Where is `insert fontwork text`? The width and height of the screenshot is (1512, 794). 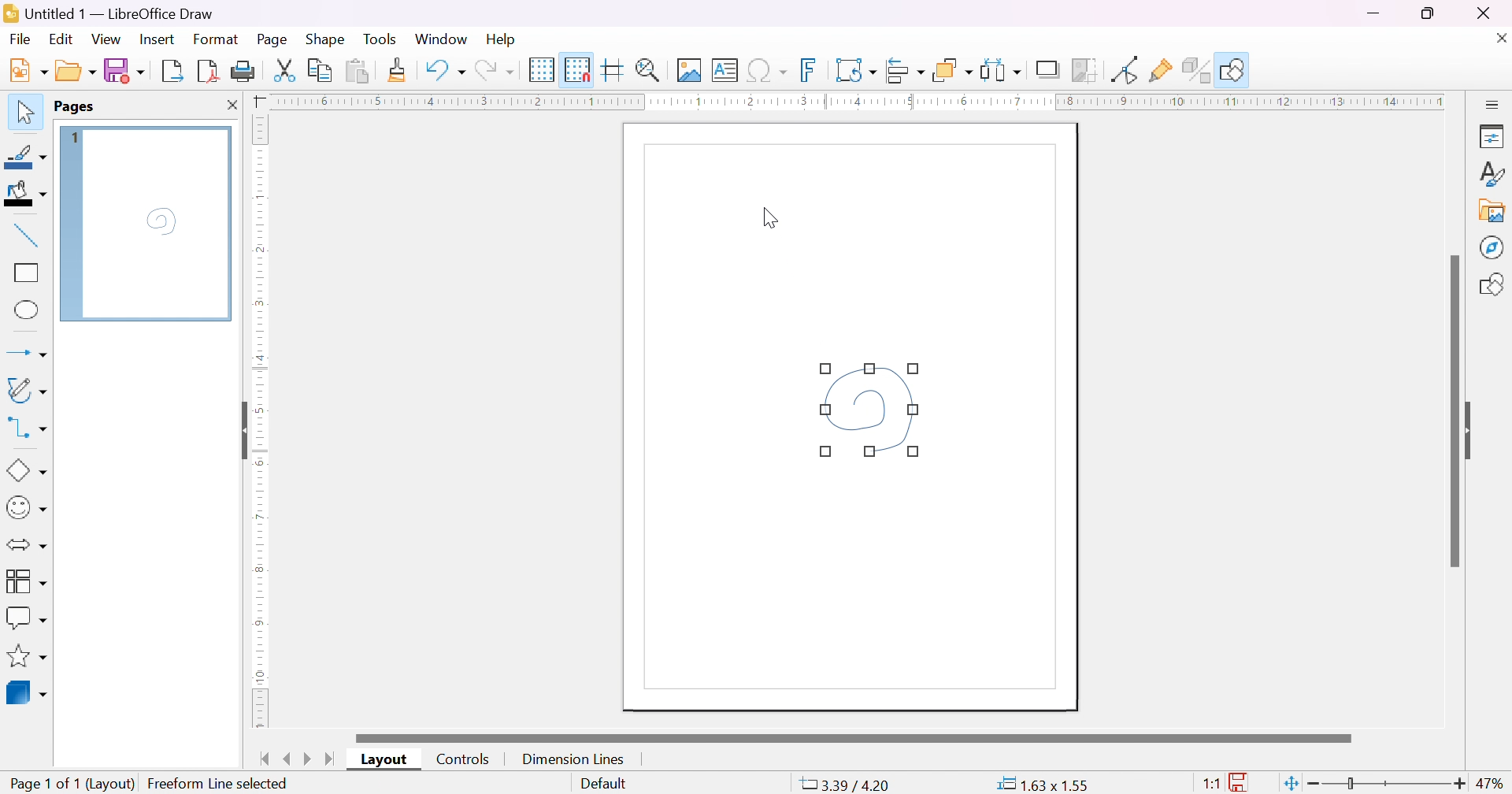 insert fontwork text is located at coordinates (809, 69).